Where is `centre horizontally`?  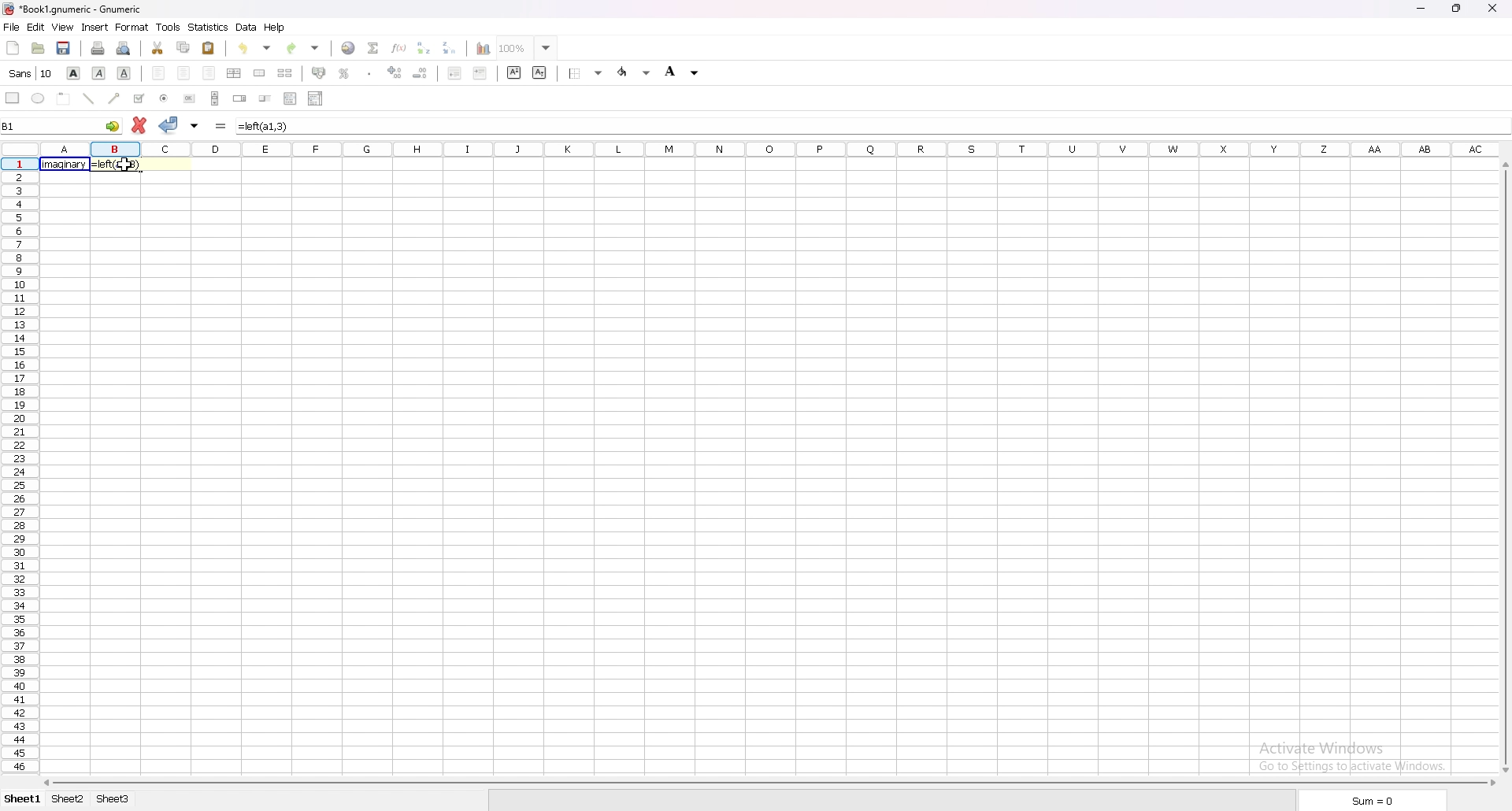 centre horizontally is located at coordinates (235, 73).